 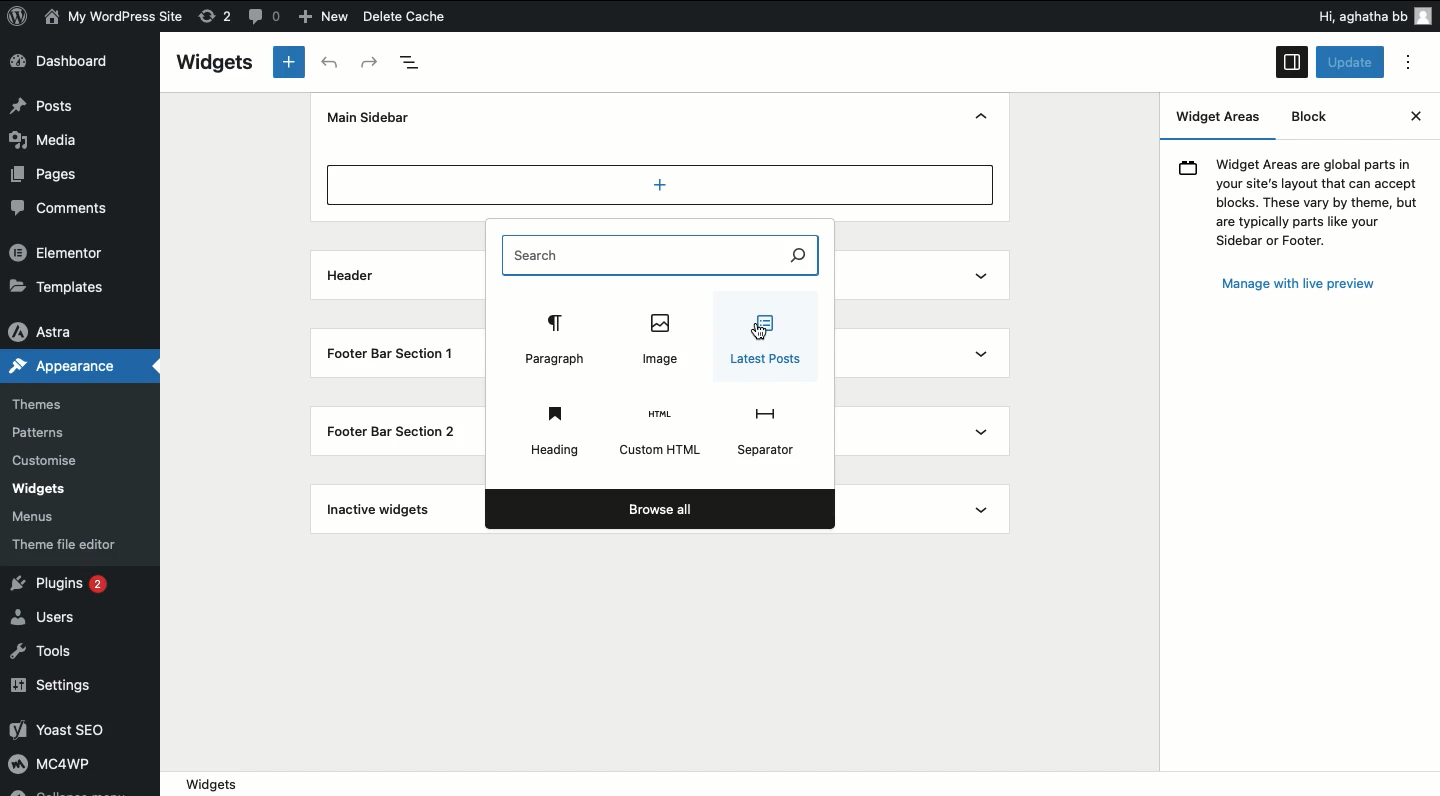 I want to click on Browse all, so click(x=662, y=508).